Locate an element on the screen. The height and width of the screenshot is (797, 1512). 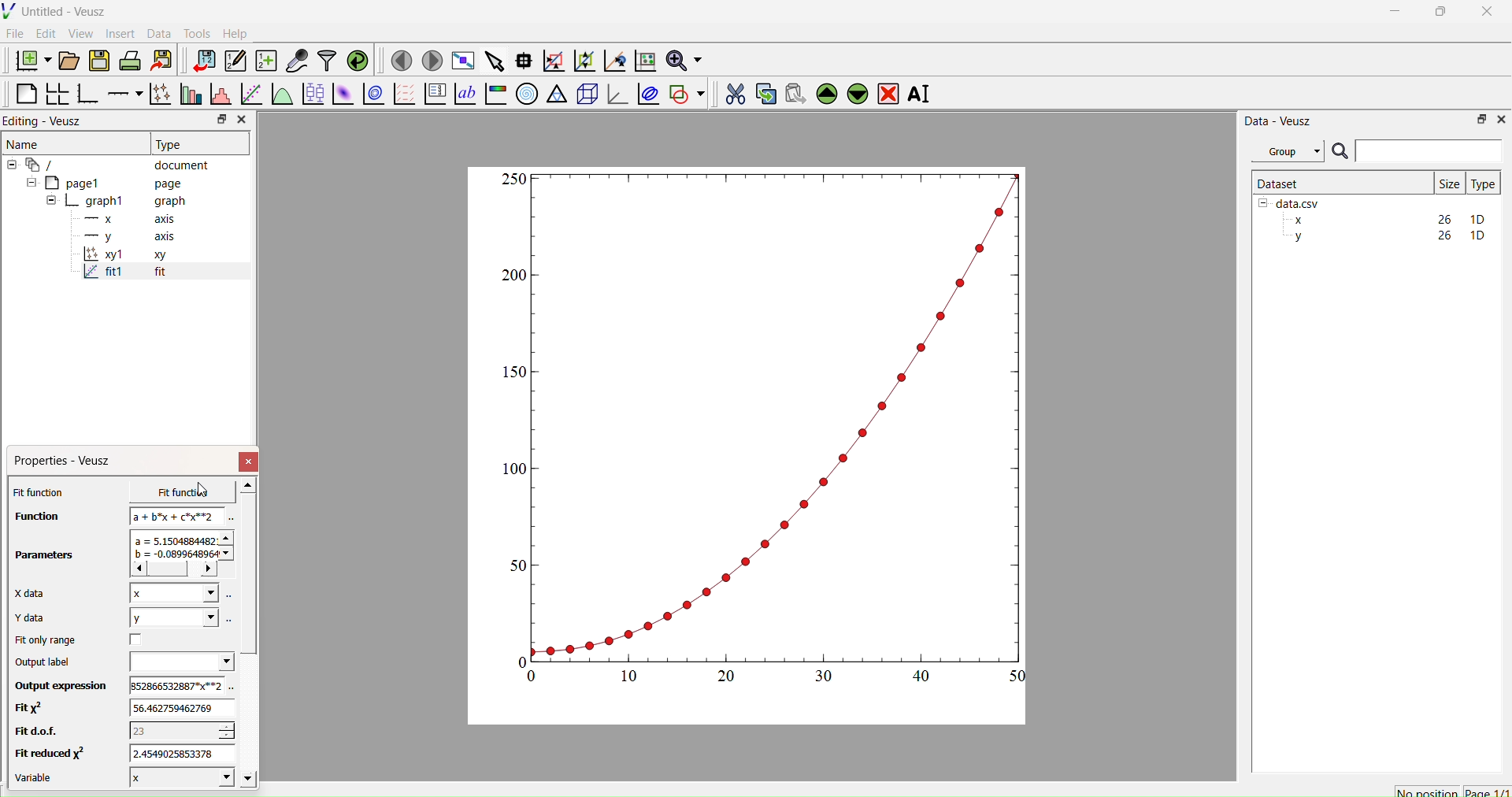
Close is located at coordinates (241, 120).